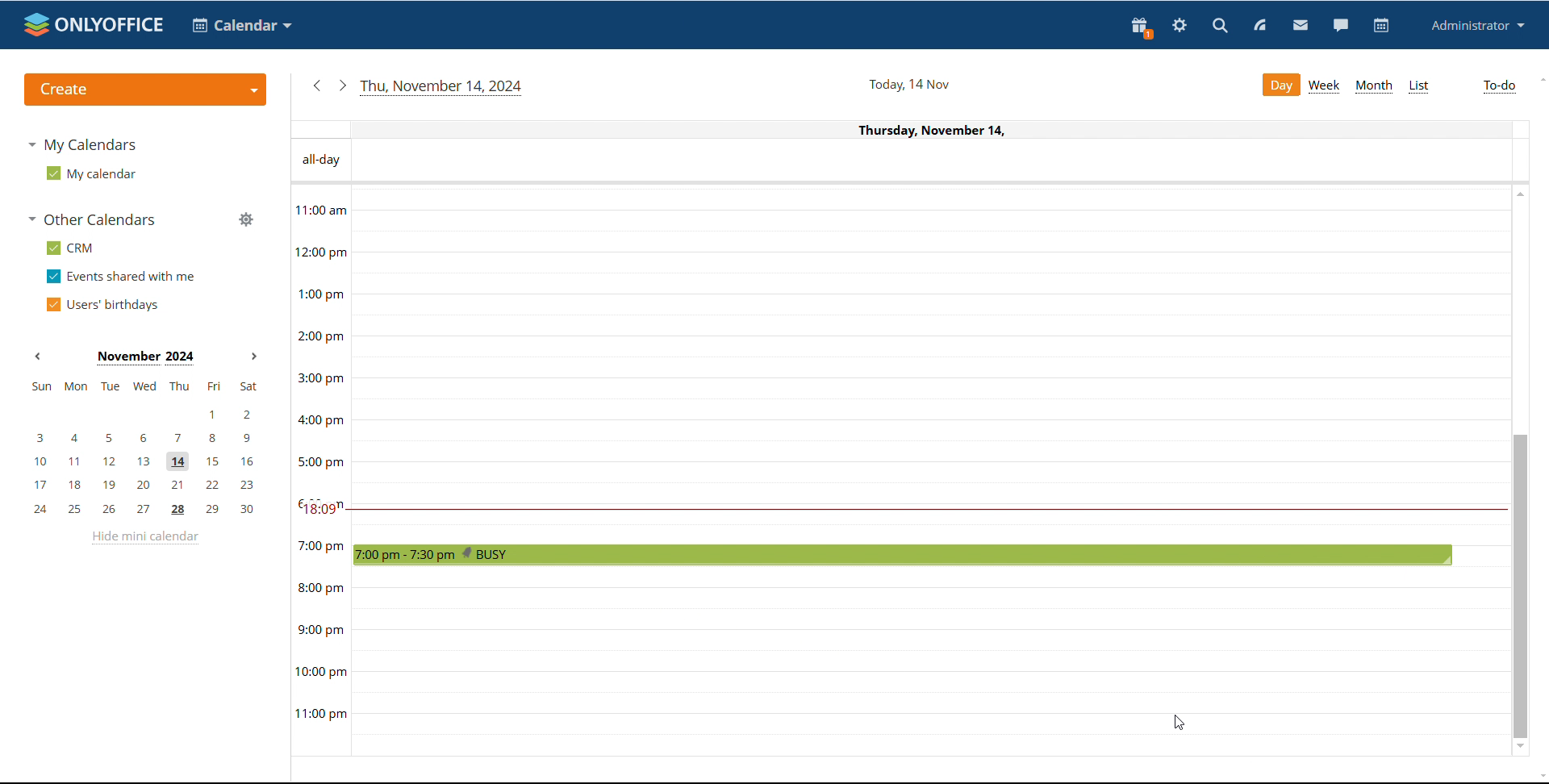  Describe the element at coordinates (1373, 87) in the screenshot. I see `month view` at that location.